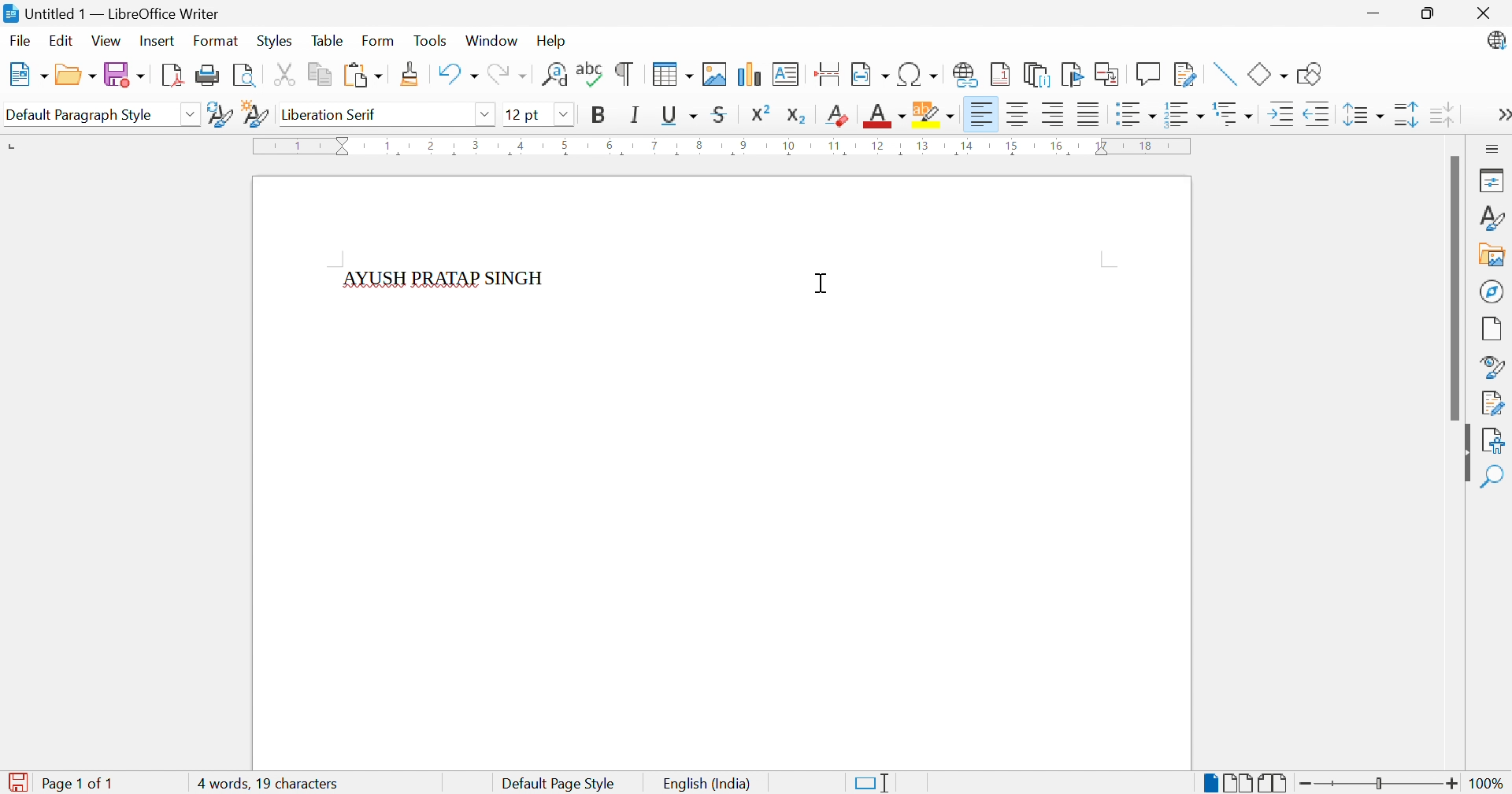  Describe the element at coordinates (1491, 291) in the screenshot. I see `Navigator` at that location.